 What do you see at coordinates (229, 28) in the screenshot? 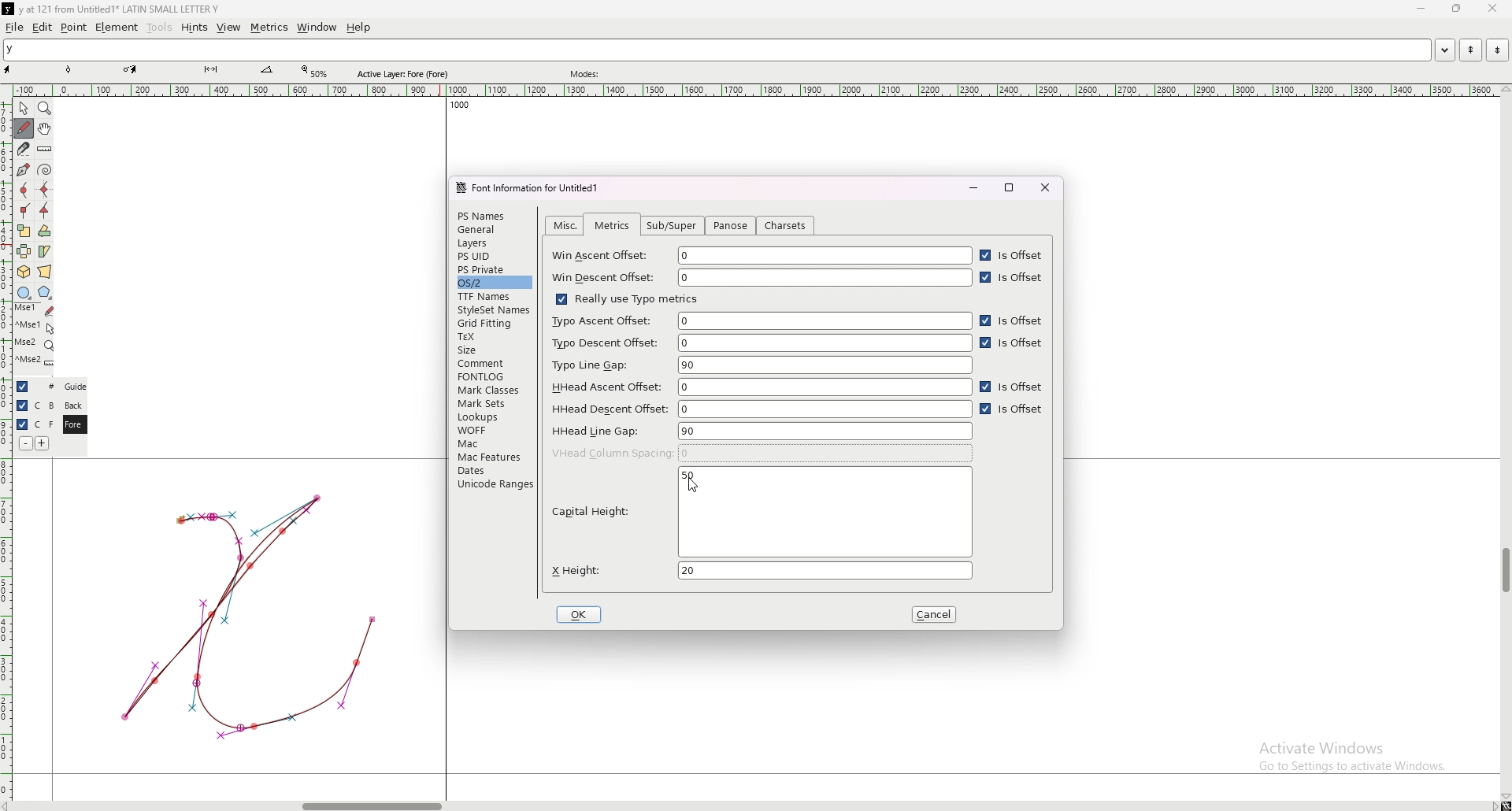
I see `view` at bounding box center [229, 28].